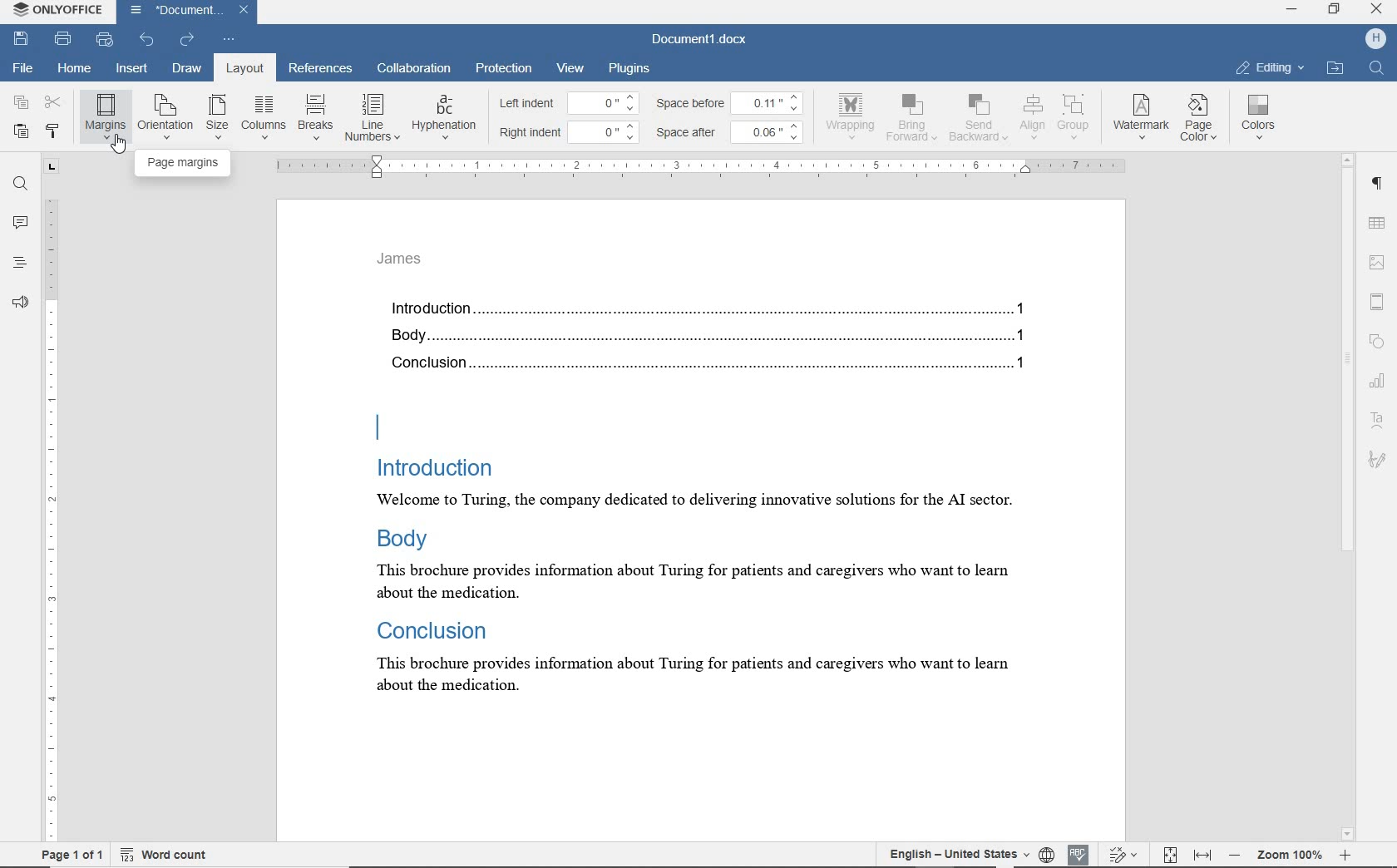  What do you see at coordinates (632, 67) in the screenshot?
I see `plugins` at bounding box center [632, 67].